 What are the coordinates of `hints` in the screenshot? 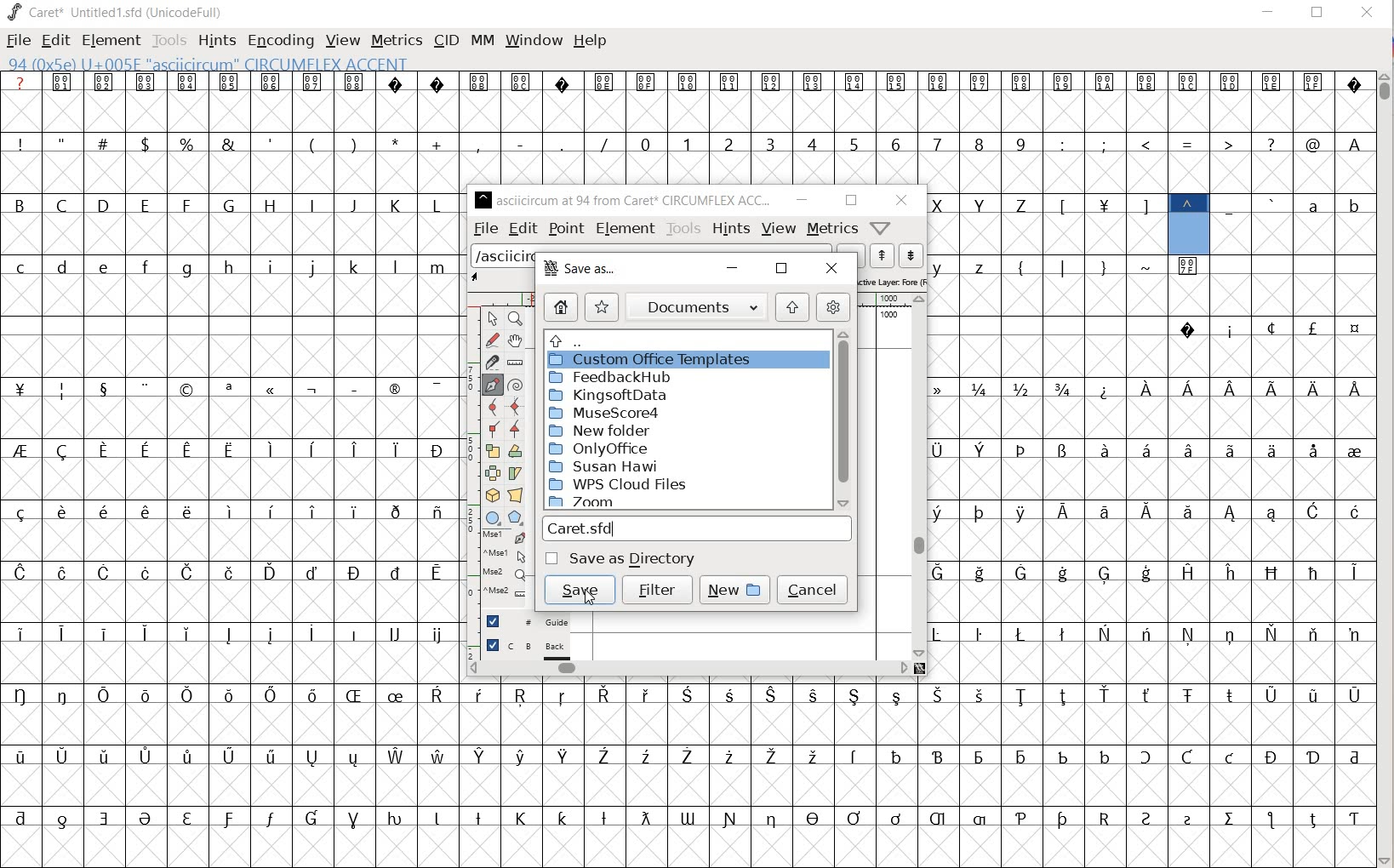 It's located at (732, 229).